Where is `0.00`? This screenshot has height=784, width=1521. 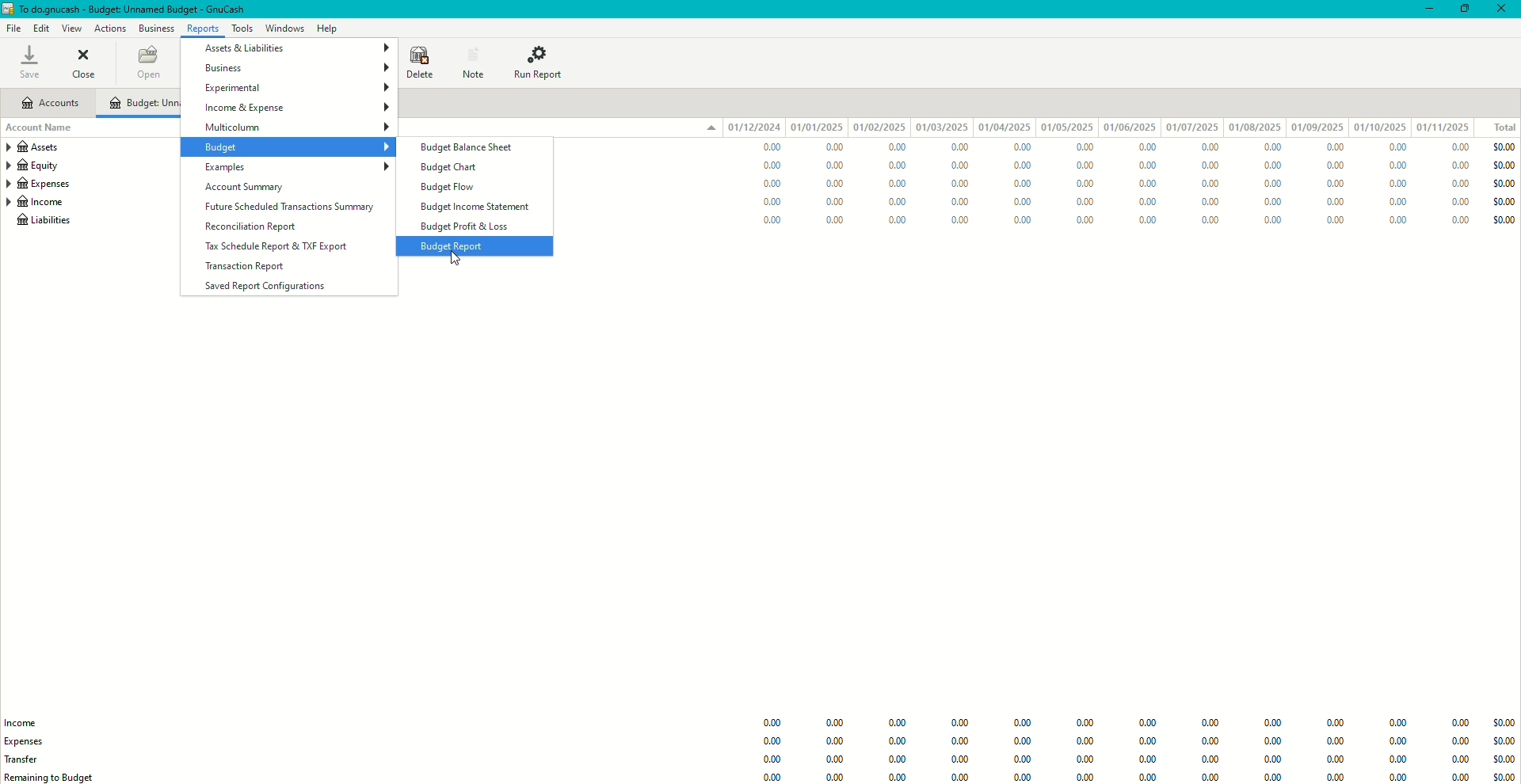
0.00 is located at coordinates (1271, 185).